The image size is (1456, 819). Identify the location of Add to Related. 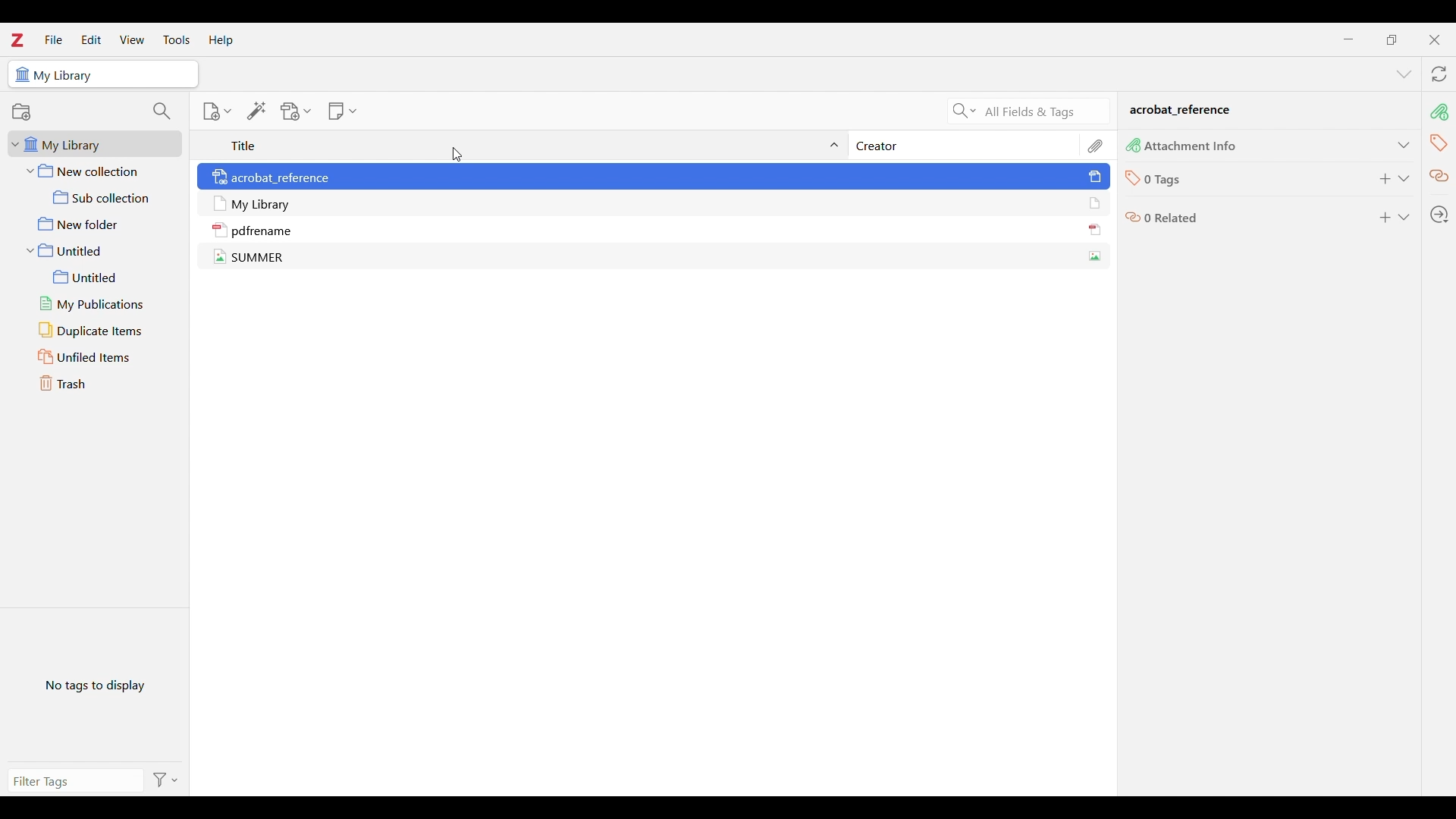
(1386, 218).